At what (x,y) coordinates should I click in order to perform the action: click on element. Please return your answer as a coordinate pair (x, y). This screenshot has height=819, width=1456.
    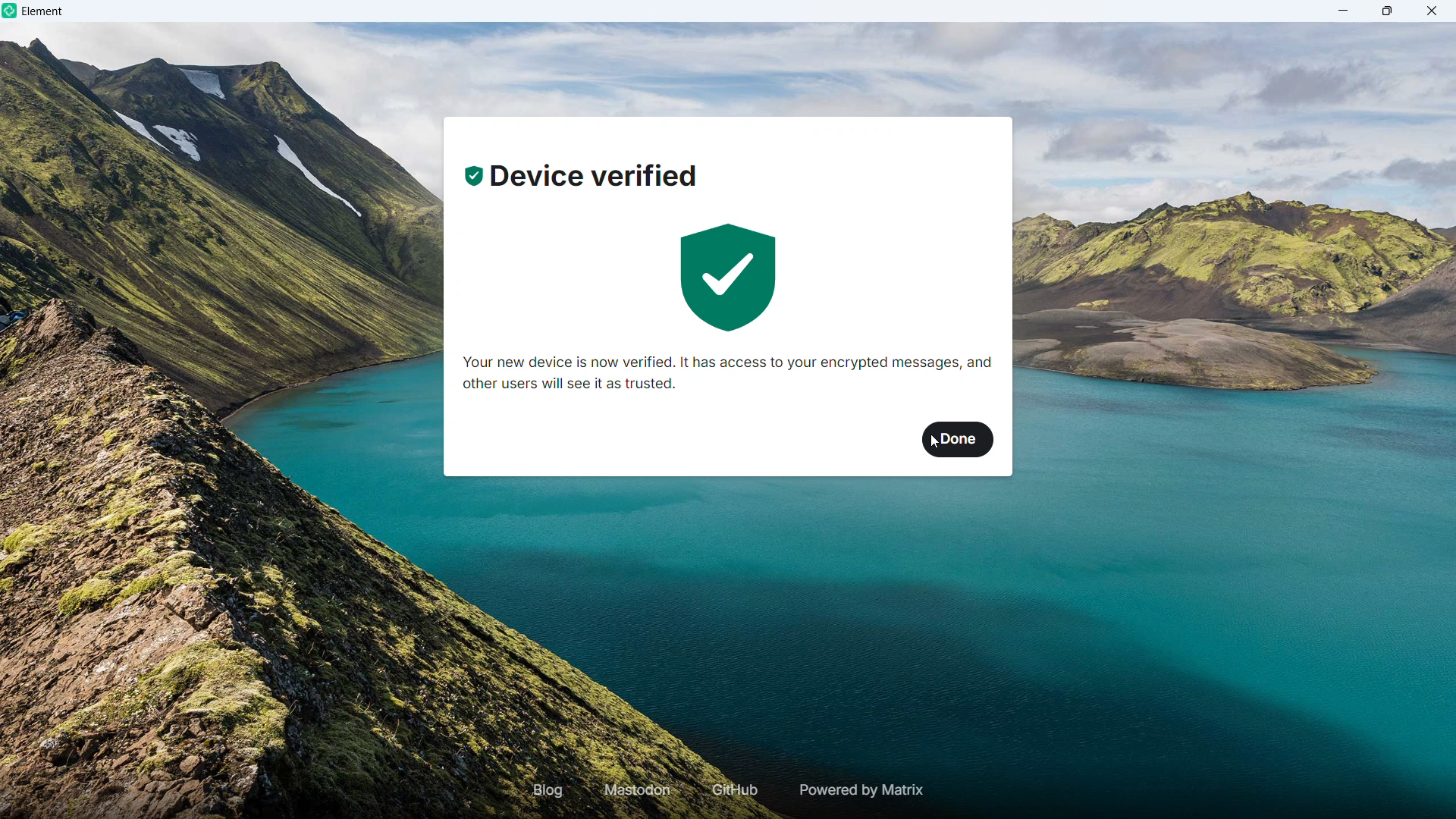
    Looking at the image, I should click on (43, 13).